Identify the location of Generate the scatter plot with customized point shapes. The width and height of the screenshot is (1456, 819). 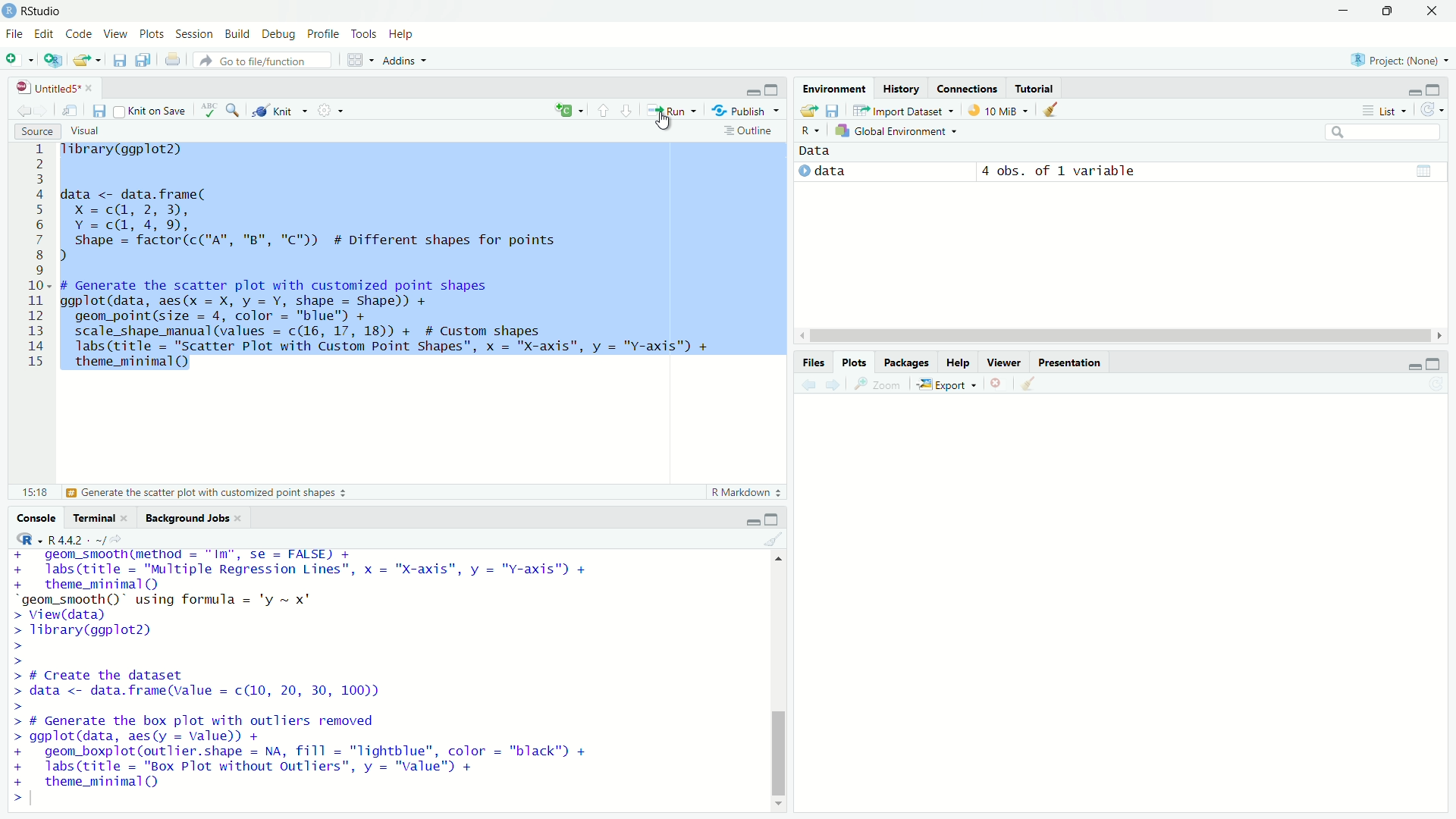
(208, 493).